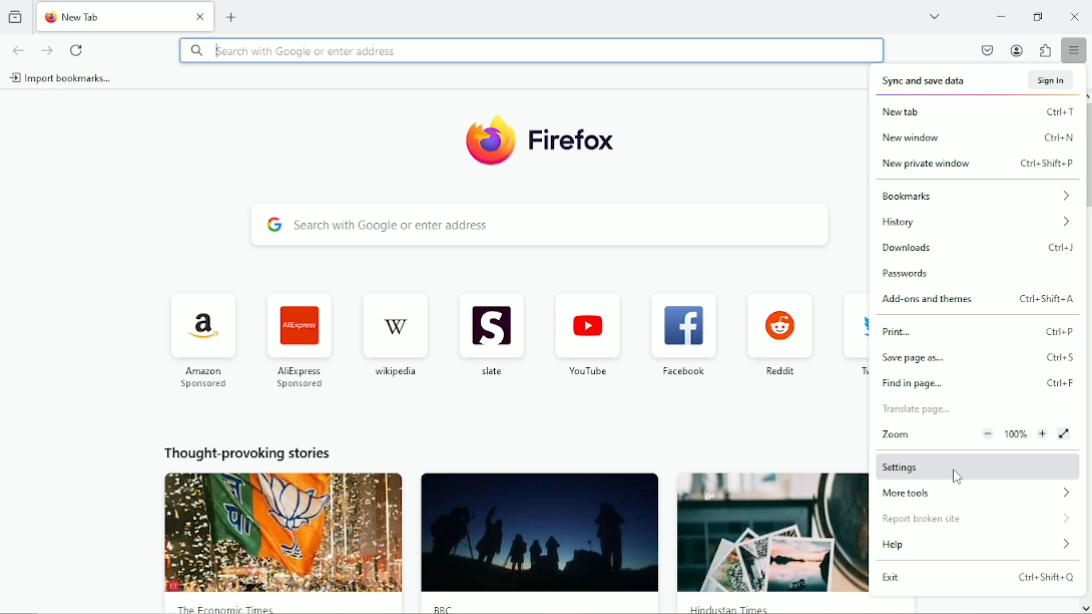 Image resolution: width=1092 pixels, height=614 pixels. Describe the element at coordinates (586, 335) in the screenshot. I see `Youtube` at that location.